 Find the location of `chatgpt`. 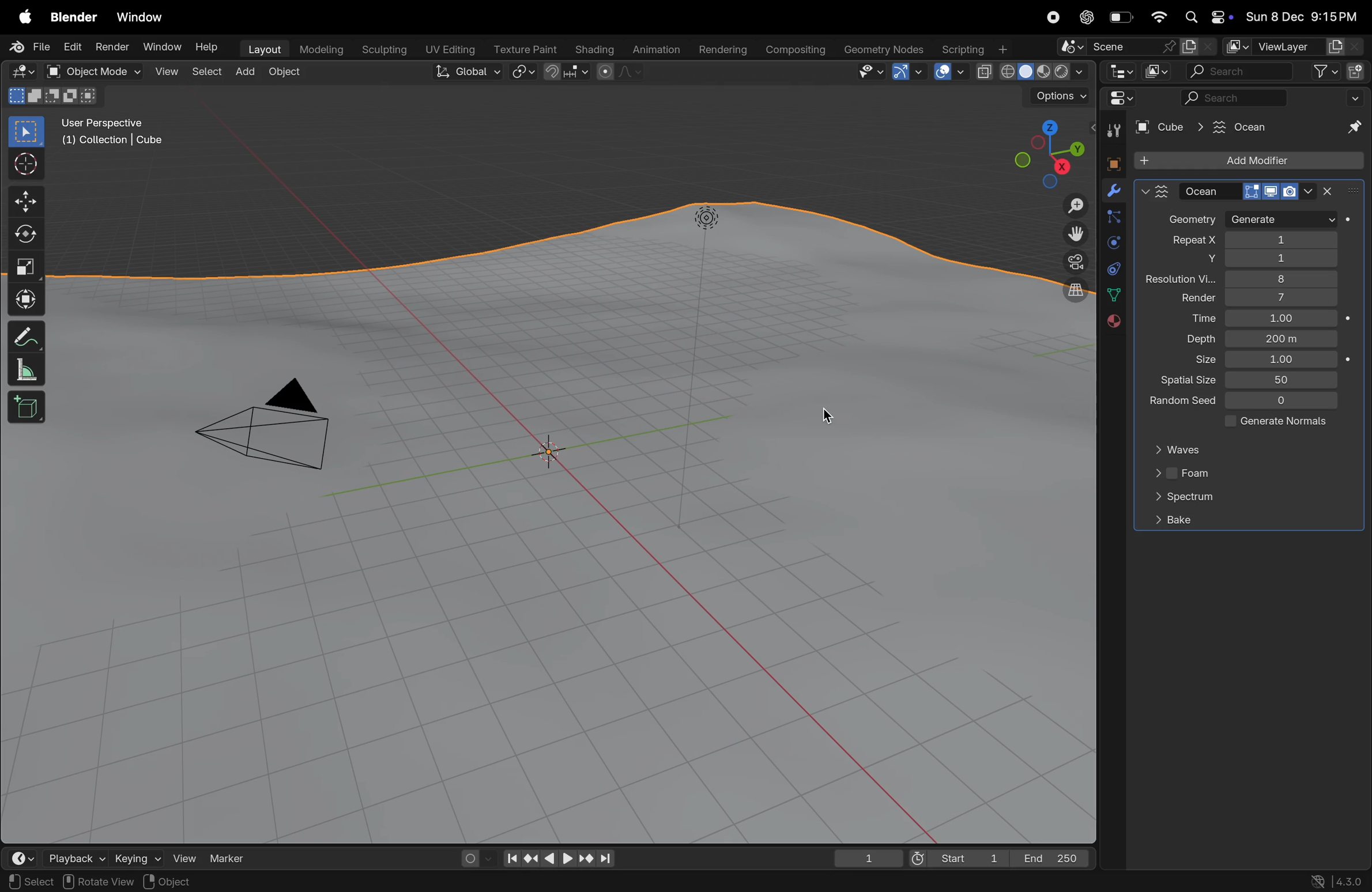

chatgpt is located at coordinates (1087, 17).